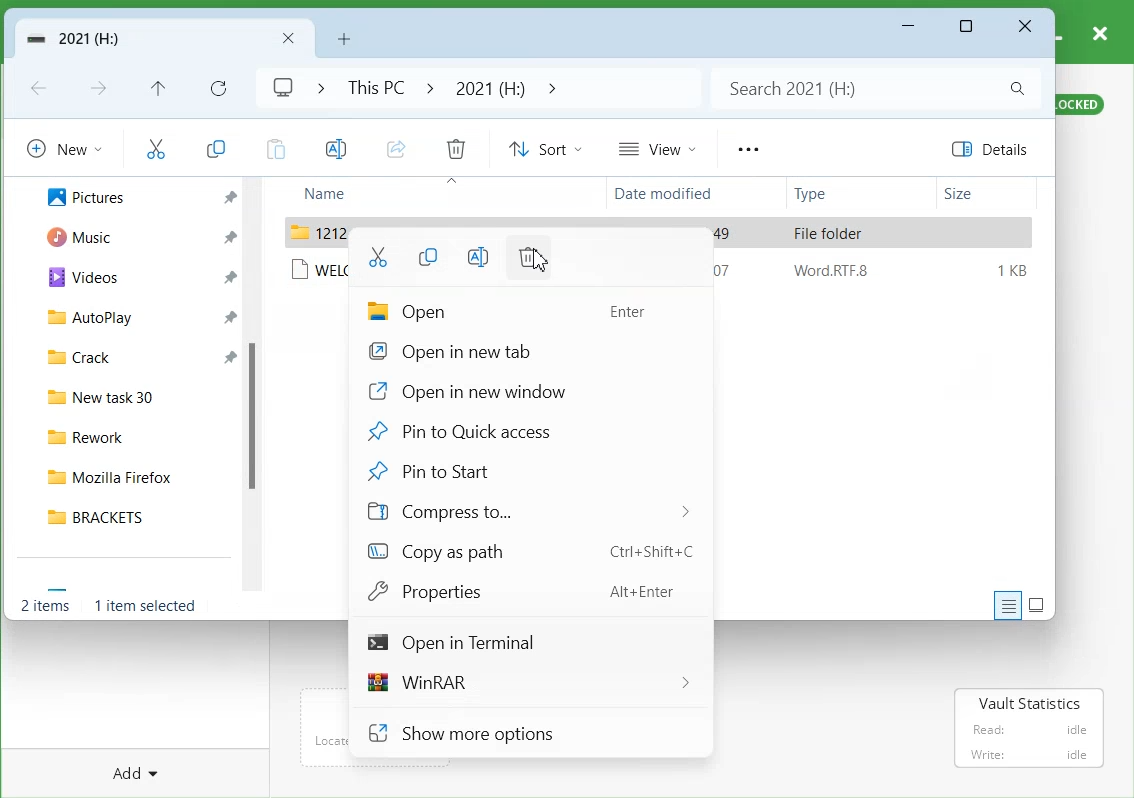  What do you see at coordinates (524, 431) in the screenshot?
I see `Pin to Quick access` at bounding box center [524, 431].